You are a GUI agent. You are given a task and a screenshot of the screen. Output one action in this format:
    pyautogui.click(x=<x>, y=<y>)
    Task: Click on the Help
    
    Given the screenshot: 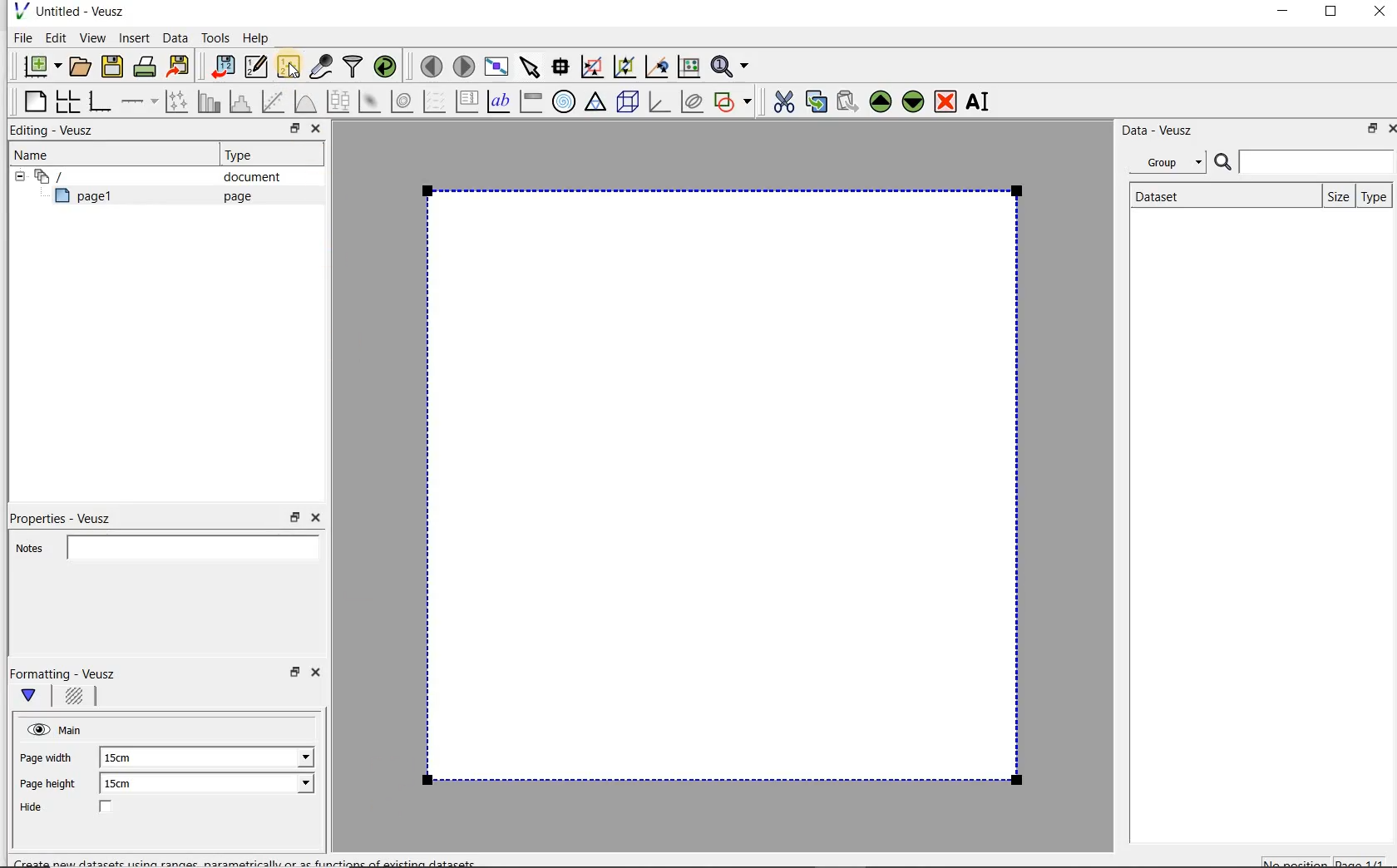 What is the action you would take?
    pyautogui.click(x=258, y=37)
    